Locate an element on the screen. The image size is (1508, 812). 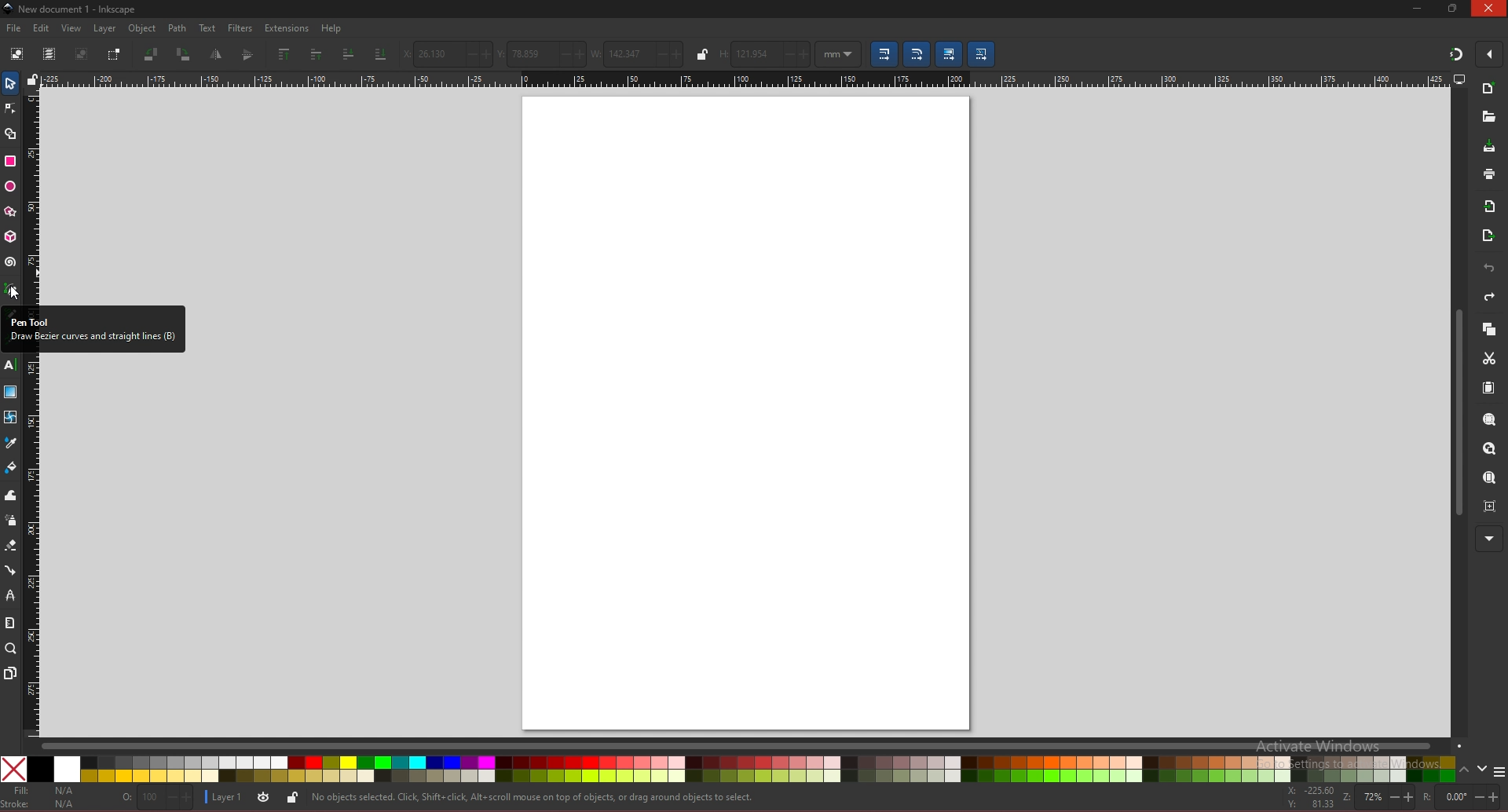
tooltip is located at coordinates (92, 329).